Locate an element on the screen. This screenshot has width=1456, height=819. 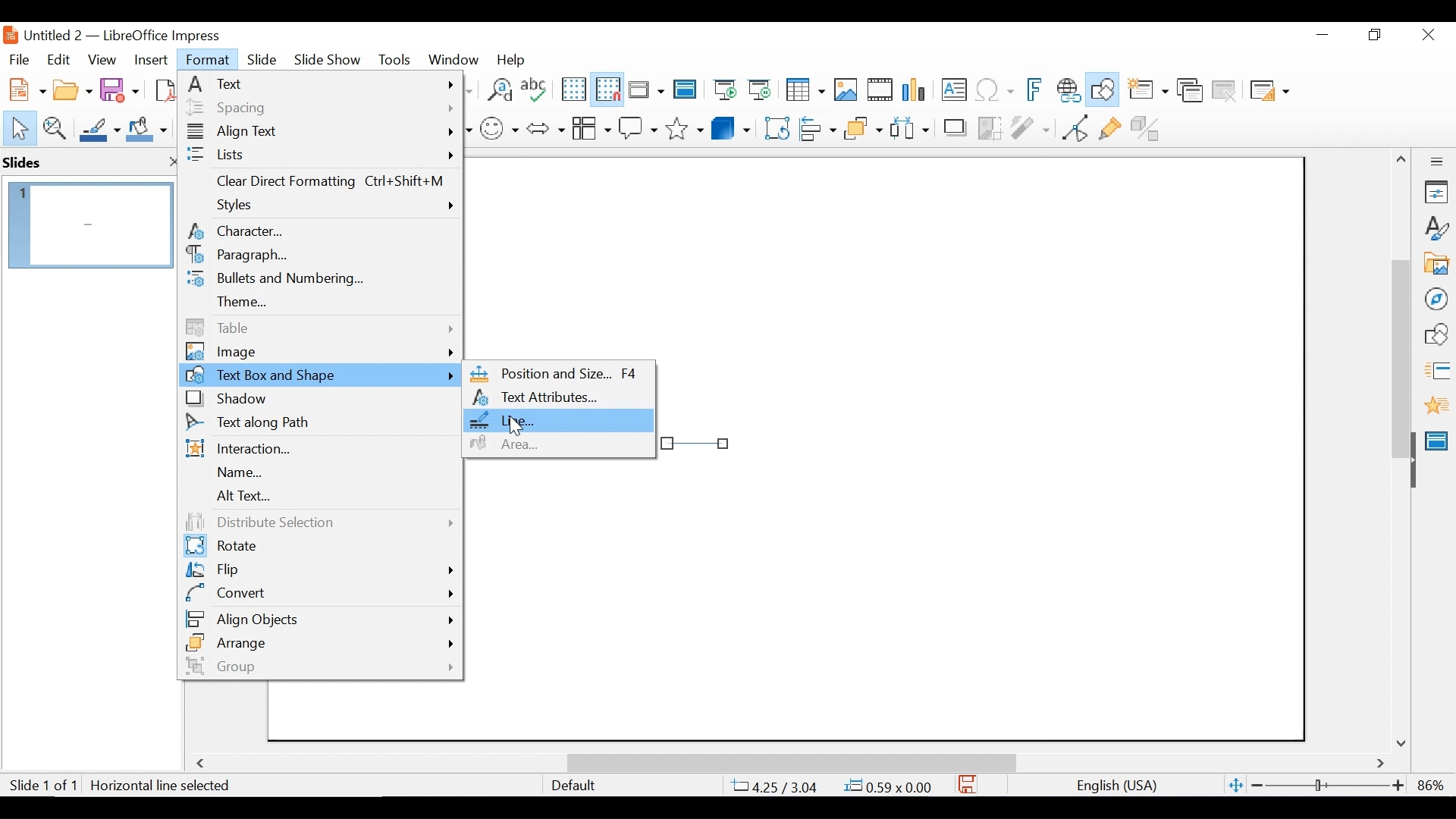
Edit is located at coordinates (57, 60).